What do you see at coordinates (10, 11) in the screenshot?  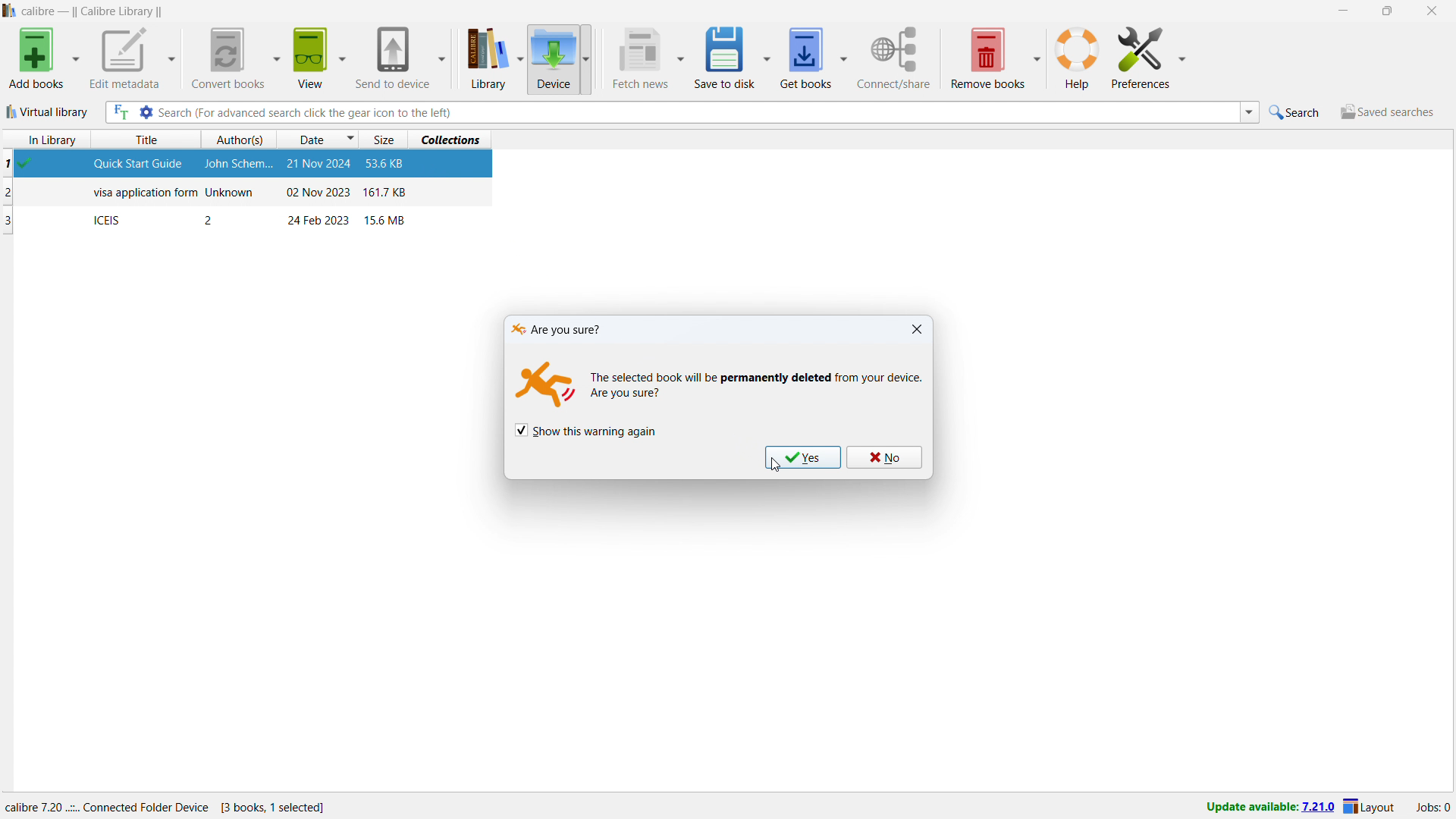 I see `logo` at bounding box center [10, 11].